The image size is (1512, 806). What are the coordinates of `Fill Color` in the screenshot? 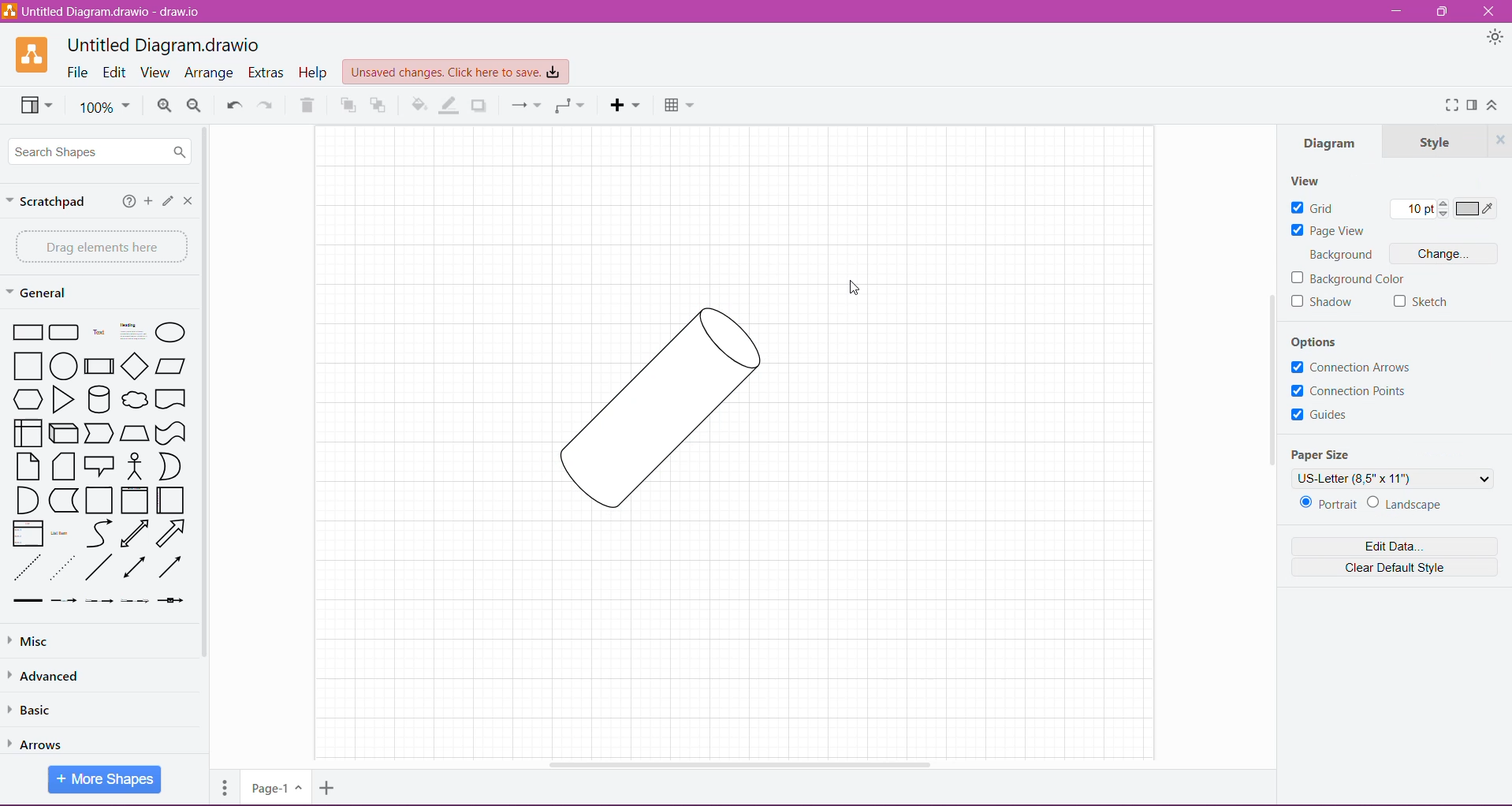 It's located at (415, 107).